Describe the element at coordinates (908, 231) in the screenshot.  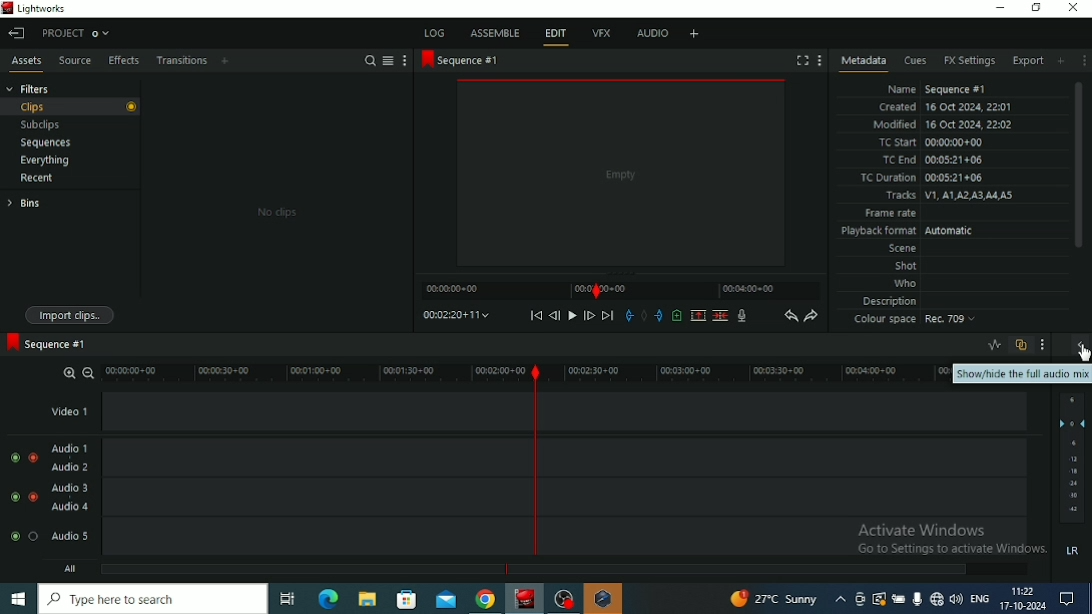
I see `Playback format` at that location.